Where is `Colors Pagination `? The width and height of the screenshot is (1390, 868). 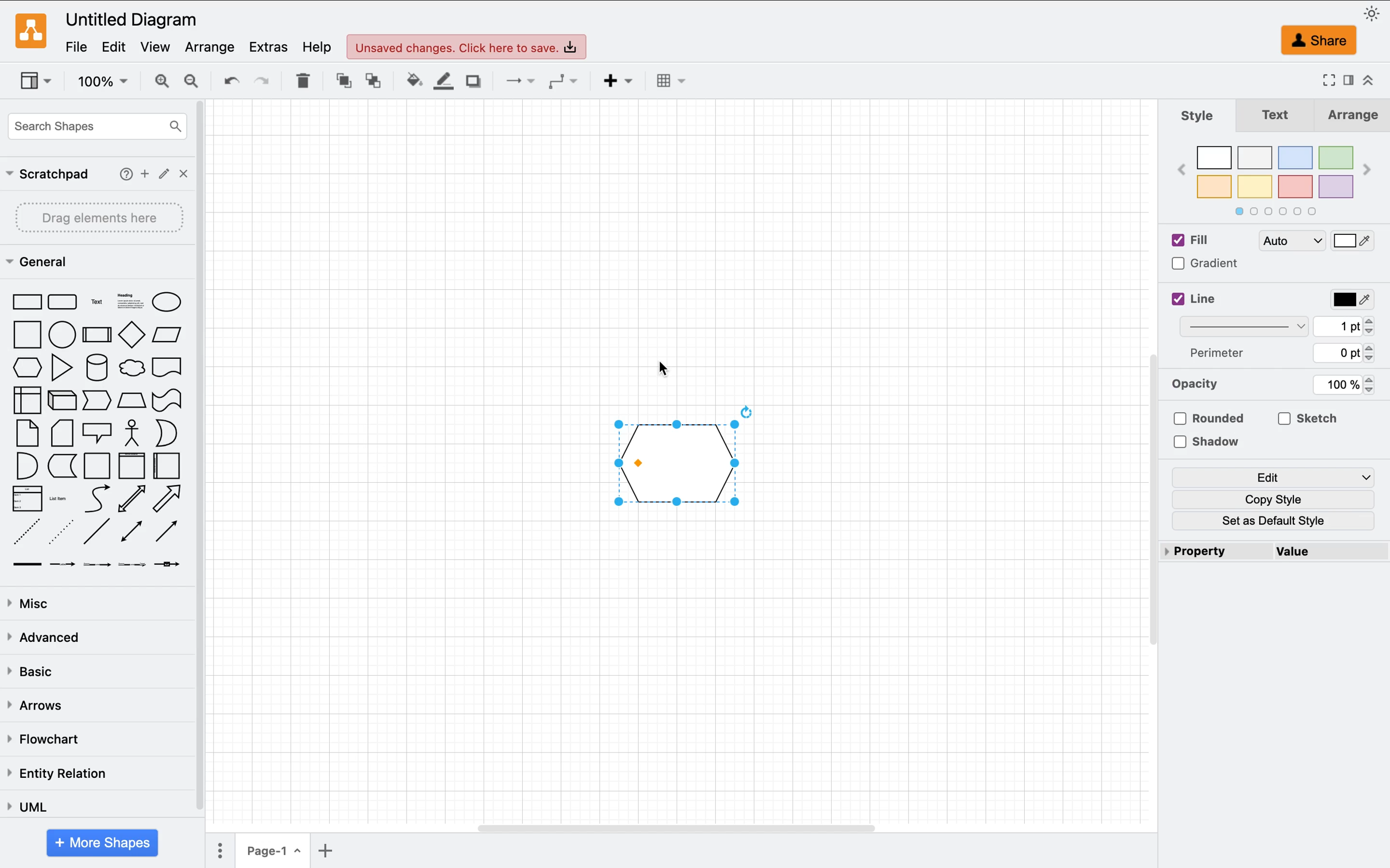
Colors Pagination  is located at coordinates (1293, 211).